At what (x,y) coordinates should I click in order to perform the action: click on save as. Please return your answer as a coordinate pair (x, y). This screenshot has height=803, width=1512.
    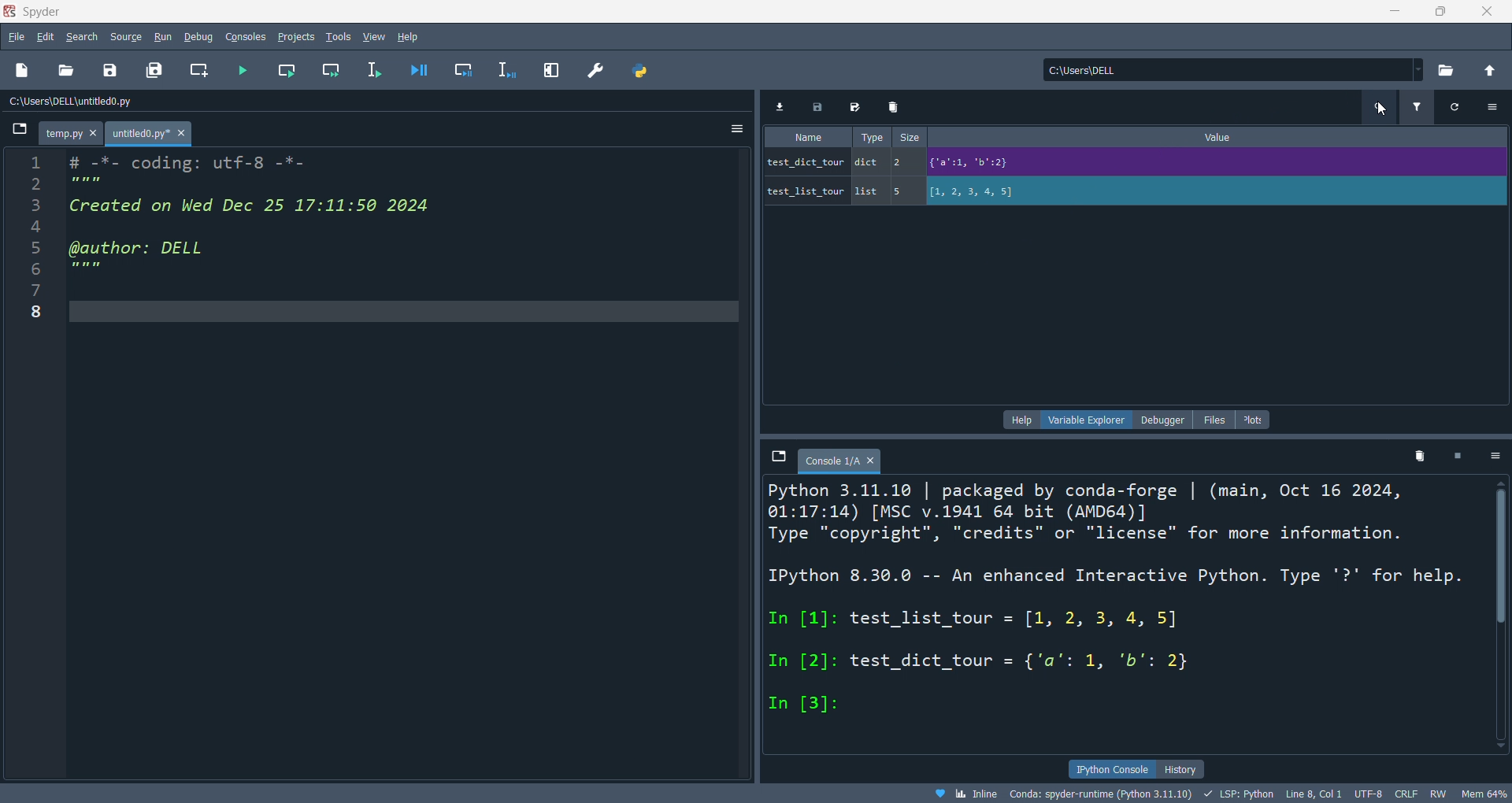
    Looking at the image, I should click on (858, 105).